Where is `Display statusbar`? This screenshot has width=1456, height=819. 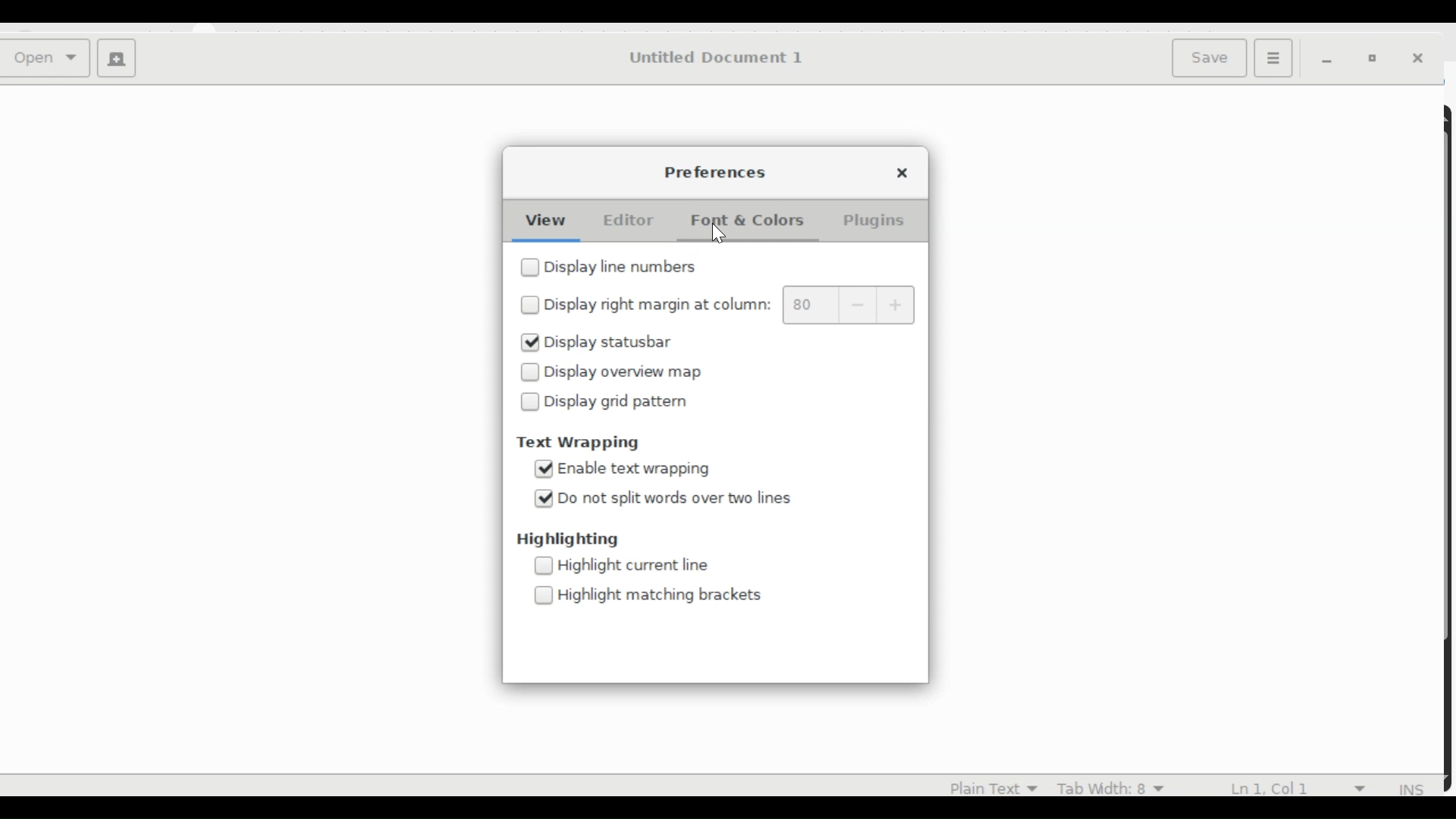 Display statusbar is located at coordinates (613, 344).